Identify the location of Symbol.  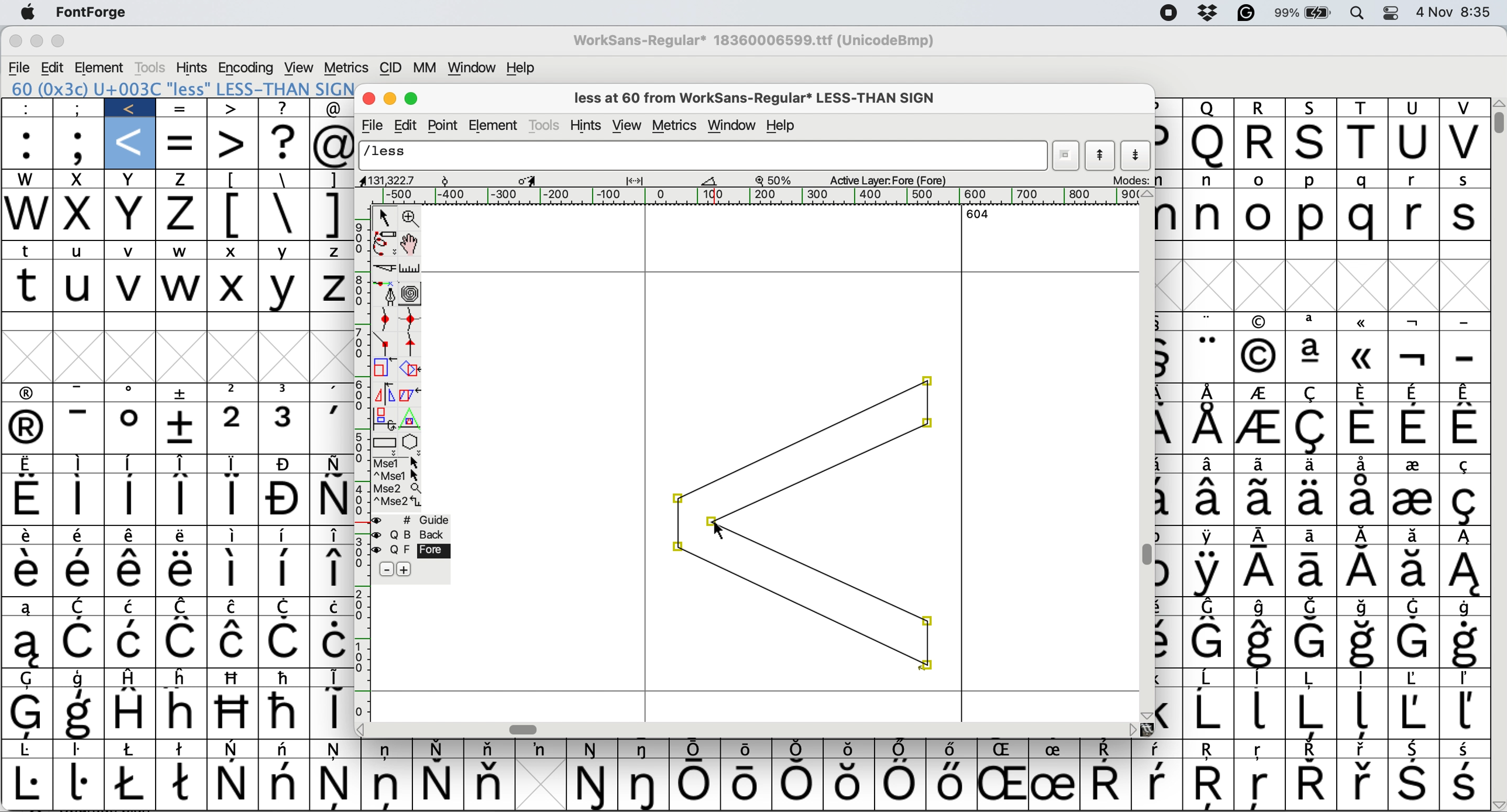
(287, 501).